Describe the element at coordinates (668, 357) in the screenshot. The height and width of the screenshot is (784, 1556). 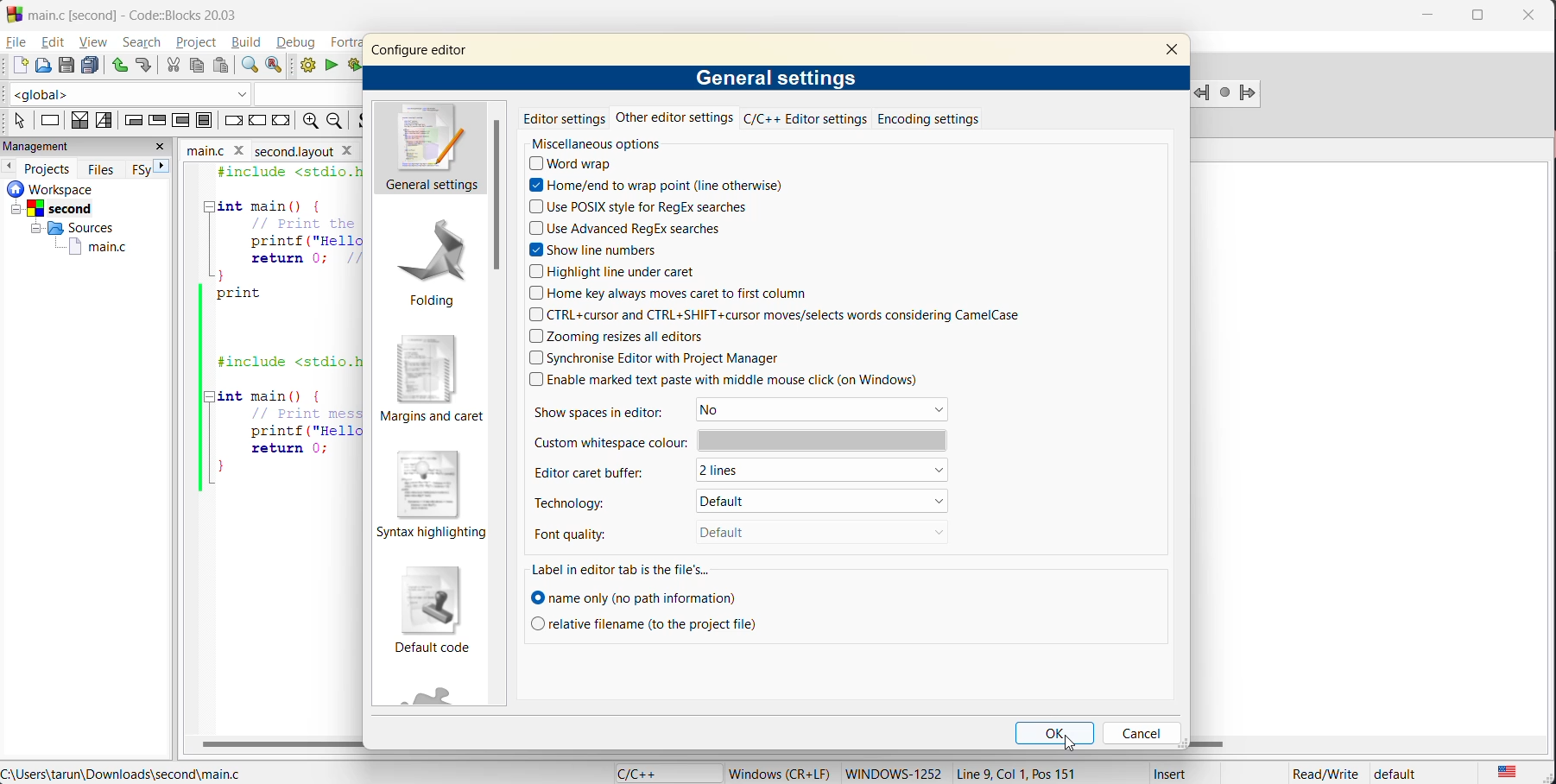
I see `synchronize editor with Project Manager` at that location.